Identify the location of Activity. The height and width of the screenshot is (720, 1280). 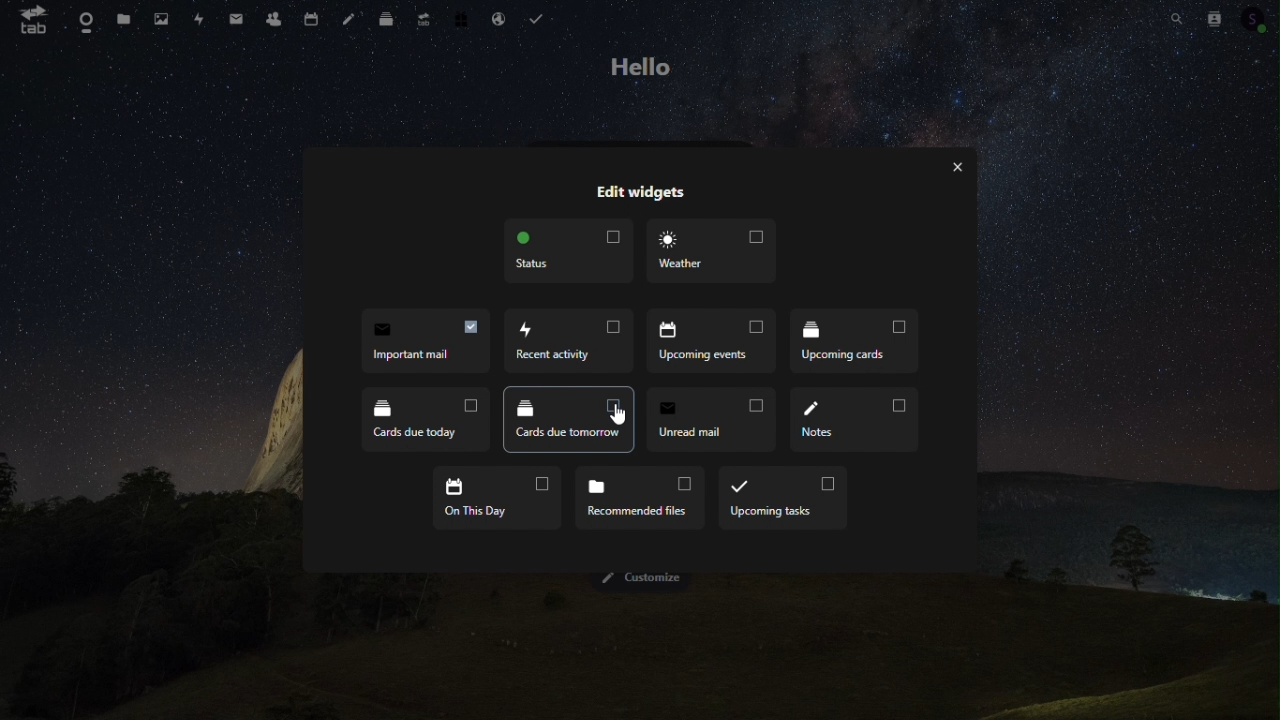
(199, 19).